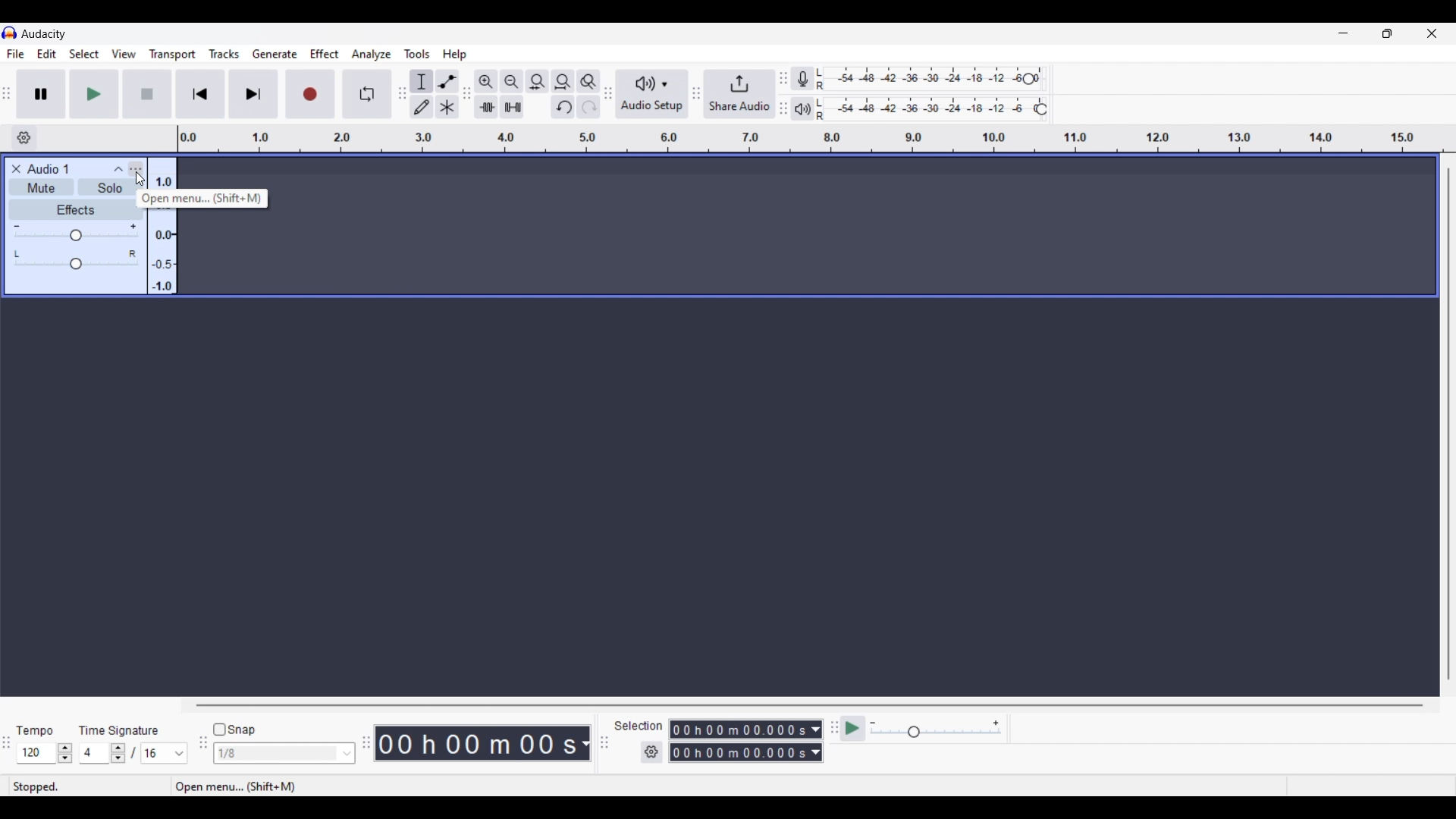  What do you see at coordinates (75, 209) in the screenshot?
I see `Effects` at bounding box center [75, 209].